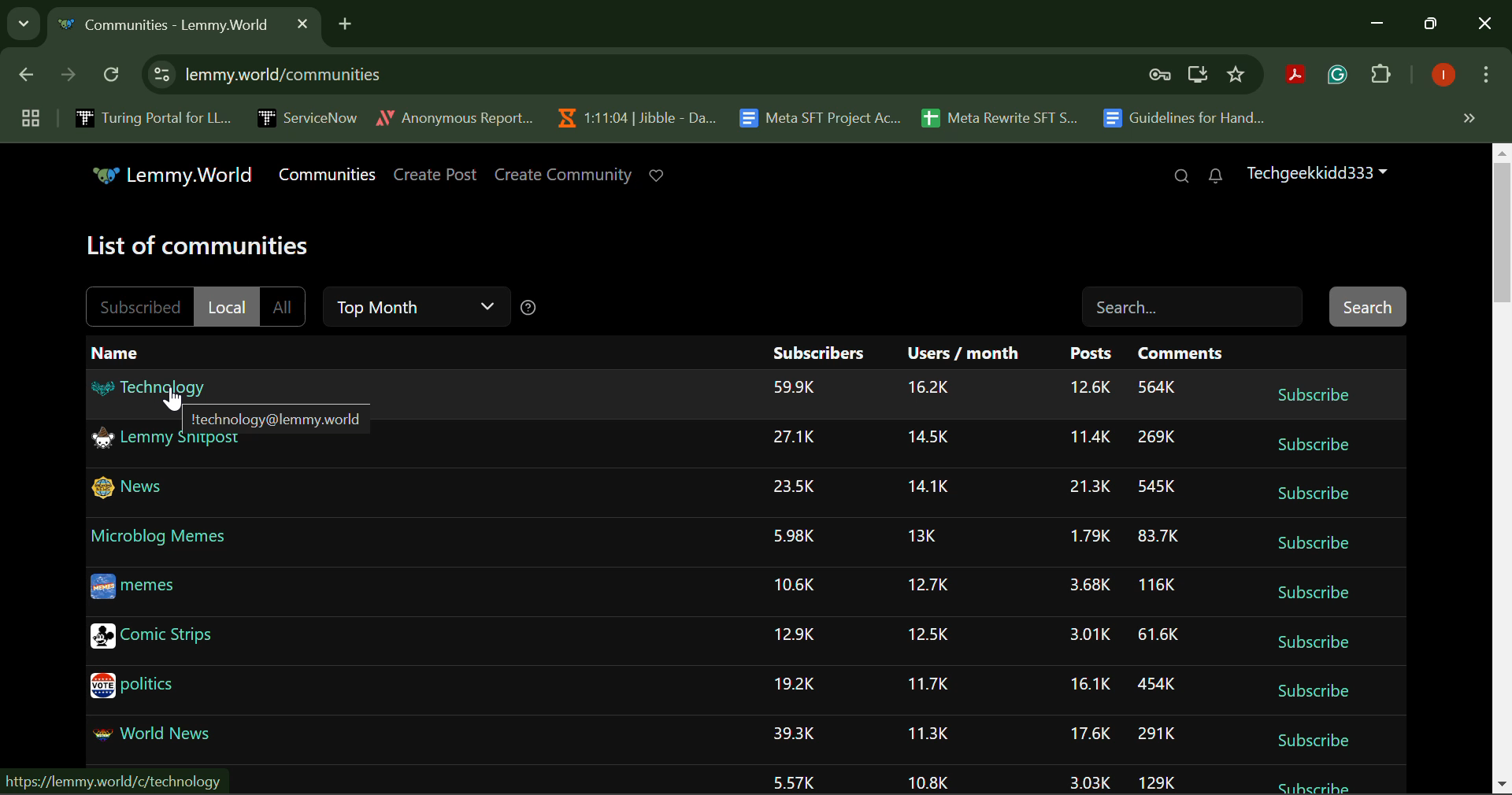 This screenshot has height=795, width=1512. What do you see at coordinates (331, 175) in the screenshot?
I see `Communities` at bounding box center [331, 175].